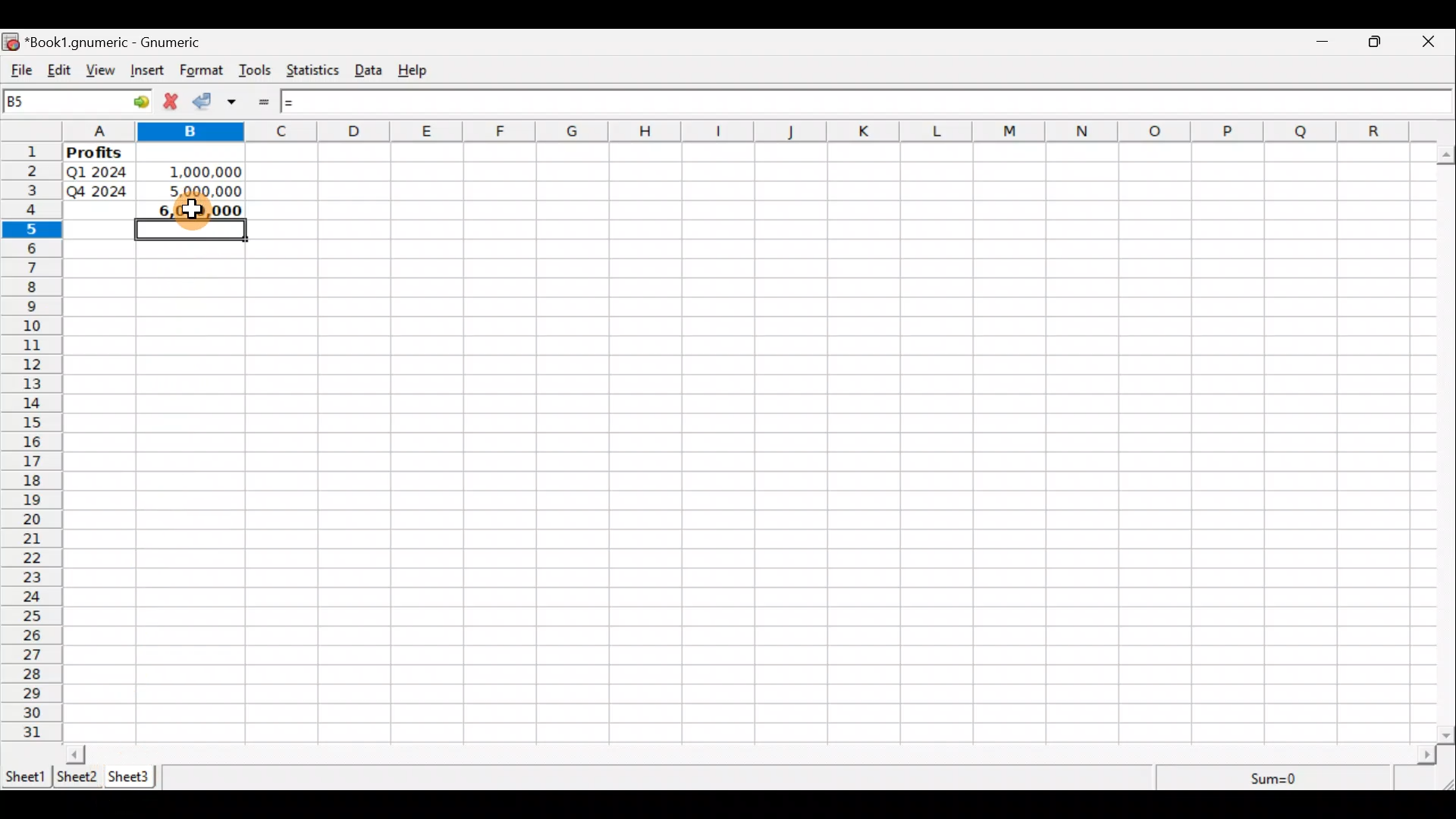 The width and height of the screenshot is (1456, 819). I want to click on Scroll bar, so click(1447, 441).